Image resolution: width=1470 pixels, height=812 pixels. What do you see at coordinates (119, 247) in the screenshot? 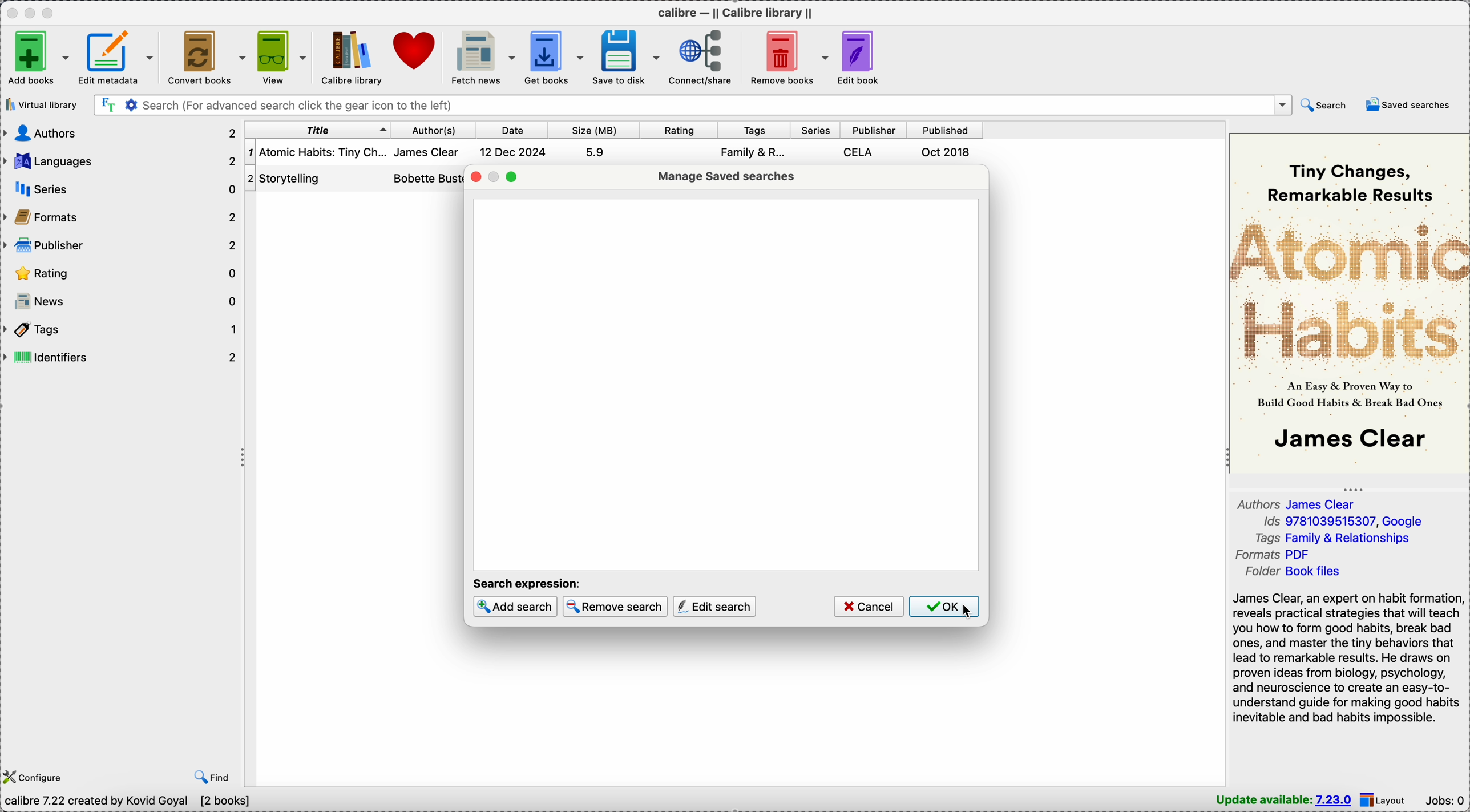
I see `publisher` at bounding box center [119, 247].